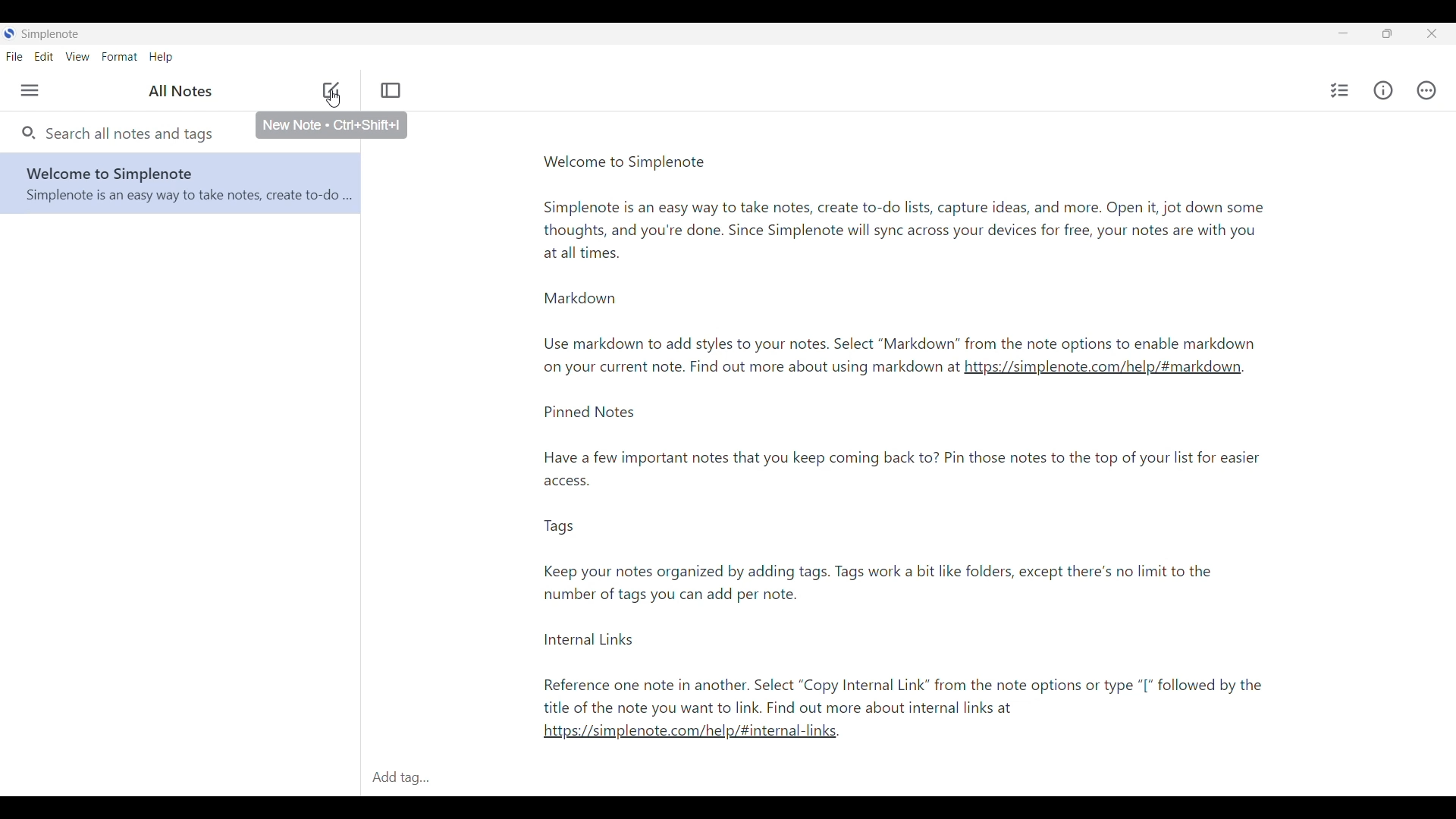 The height and width of the screenshot is (819, 1456). I want to click on Actions, so click(1426, 90).